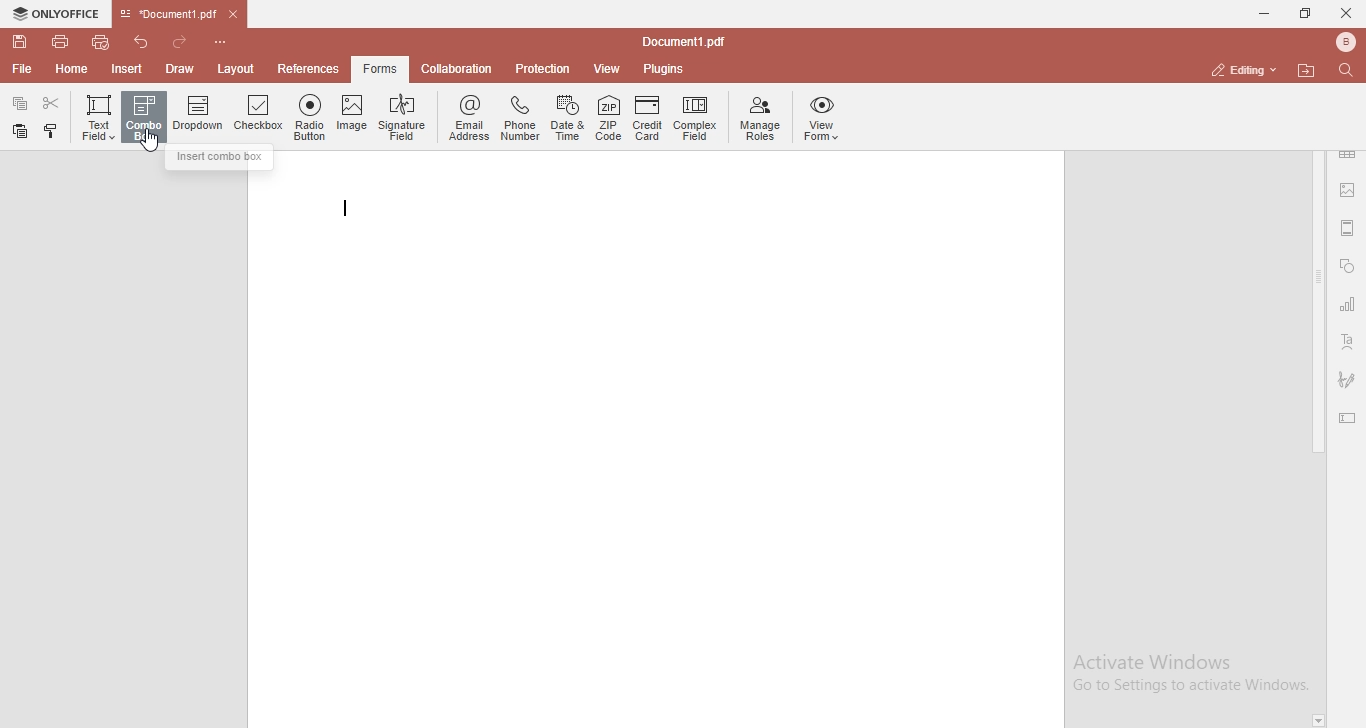  I want to click on plugins, so click(664, 70).